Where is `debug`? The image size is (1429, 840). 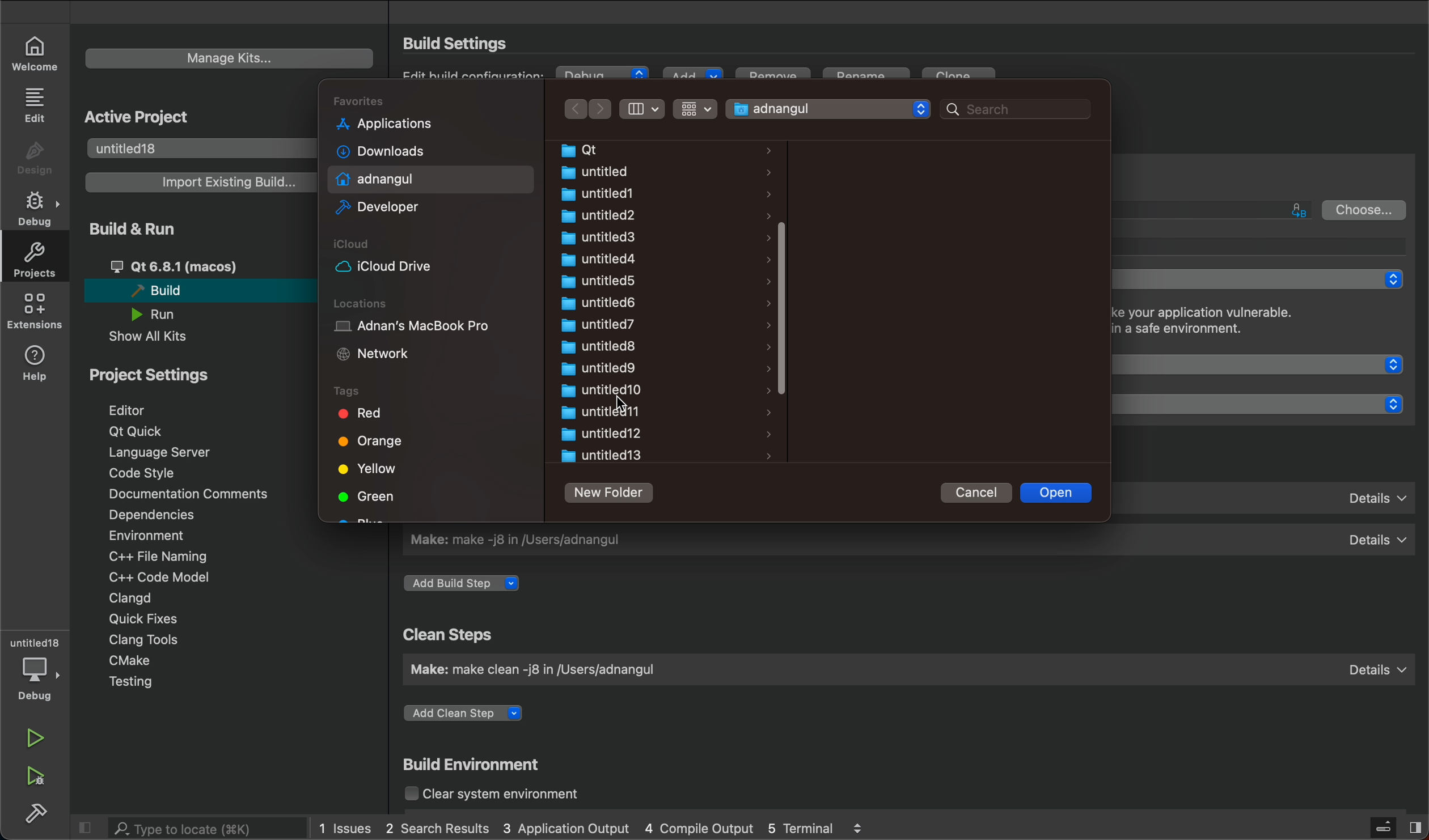
debug is located at coordinates (36, 679).